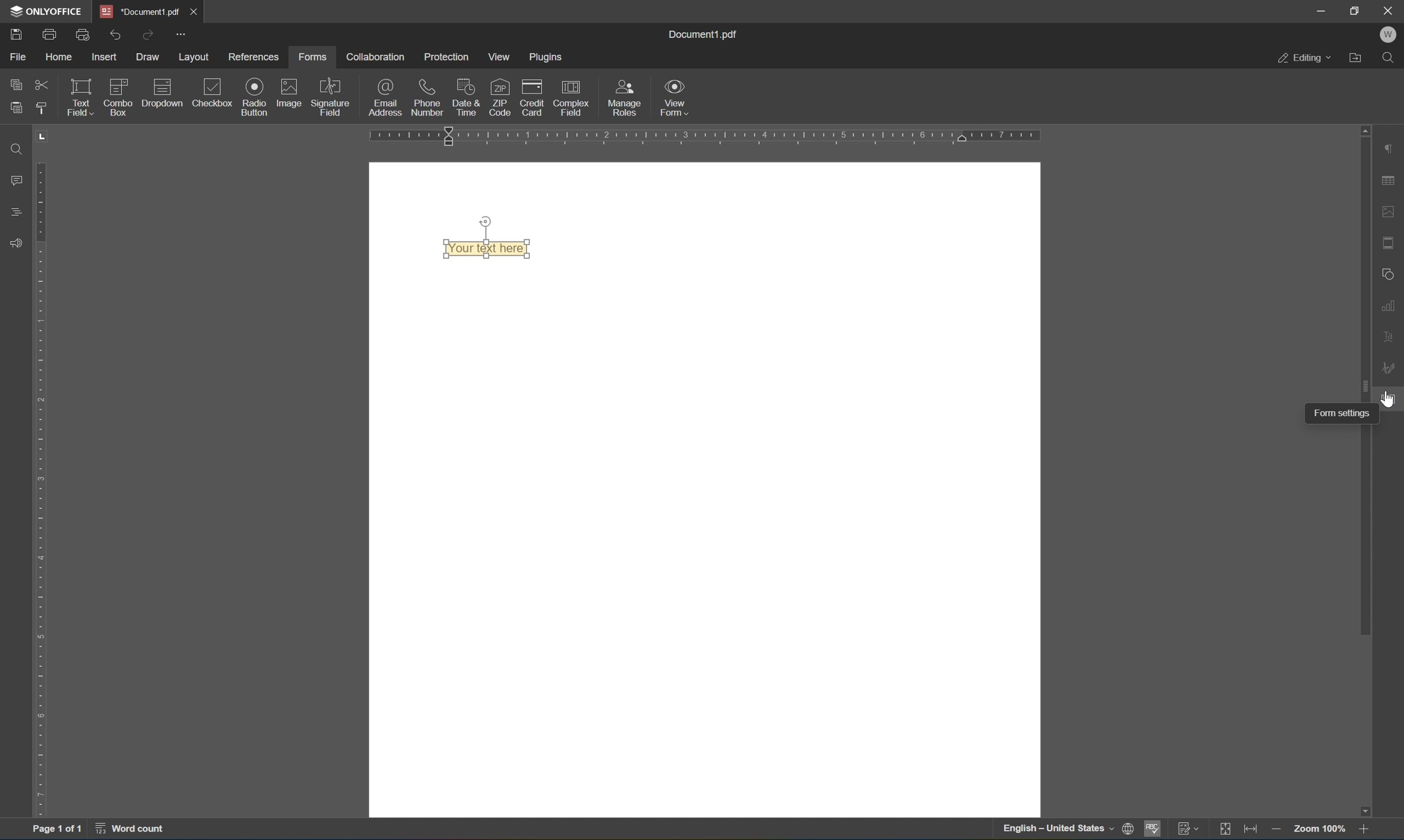 Image resolution: width=1404 pixels, height=840 pixels. Describe the element at coordinates (149, 57) in the screenshot. I see `draw` at that location.